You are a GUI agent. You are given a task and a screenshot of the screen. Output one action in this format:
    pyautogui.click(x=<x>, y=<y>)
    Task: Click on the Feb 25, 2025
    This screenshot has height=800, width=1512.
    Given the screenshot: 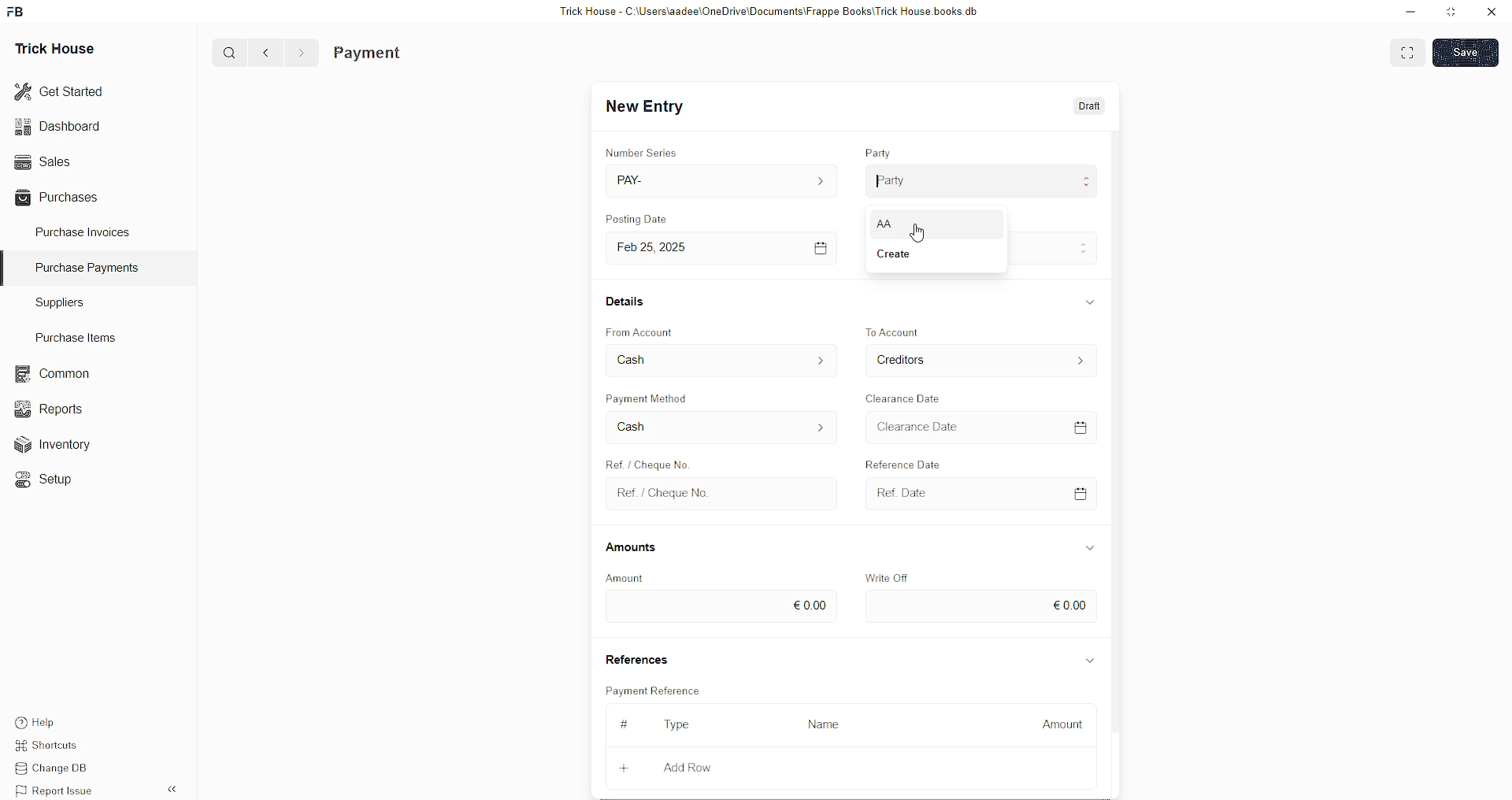 What is the action you would take?
    pyautogui.click(x=663, y=247)
    